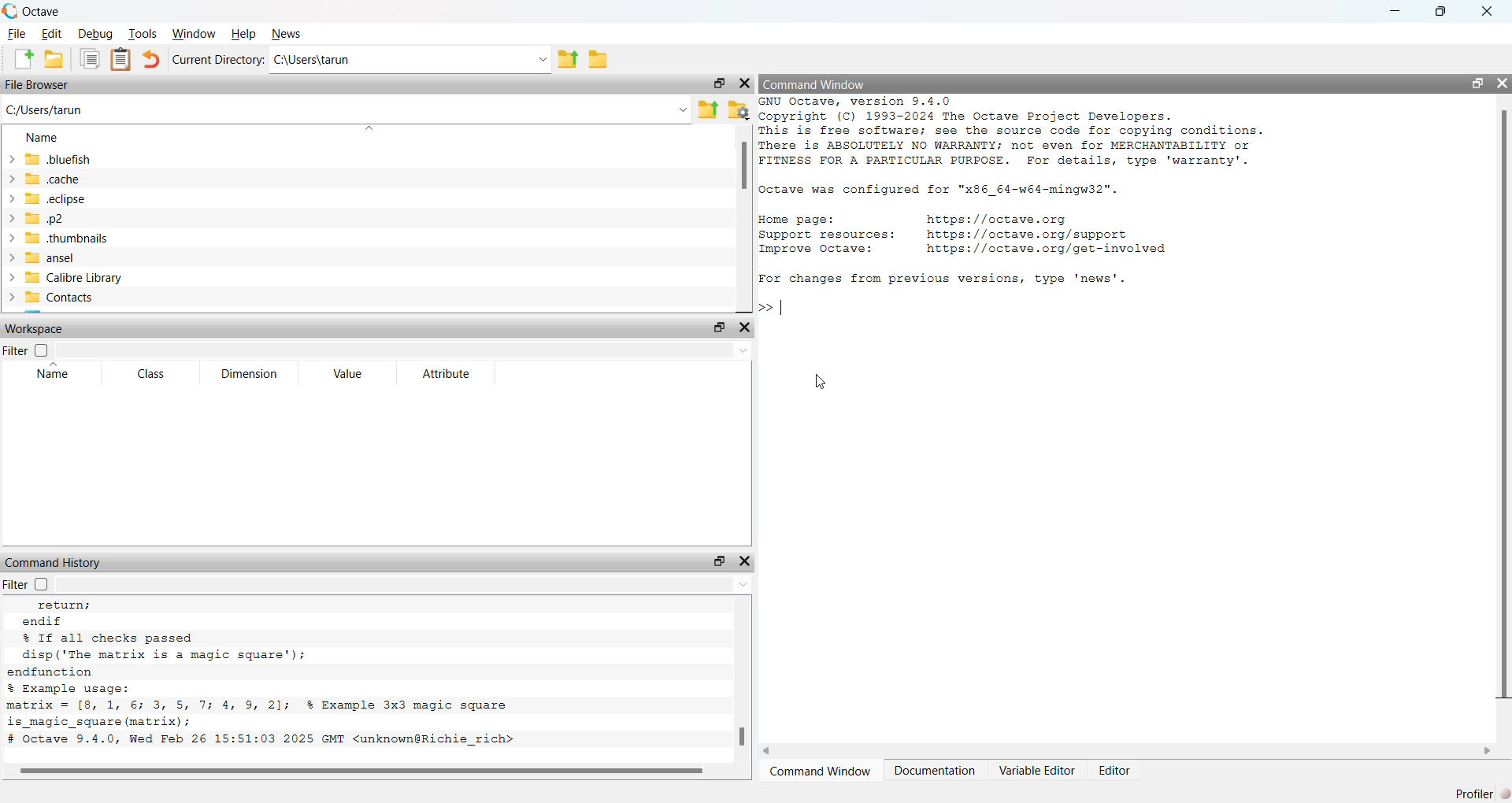 The height and width of the screenshot is (803, 1512). I want to click on Variable Editor, so click(1038, 770).